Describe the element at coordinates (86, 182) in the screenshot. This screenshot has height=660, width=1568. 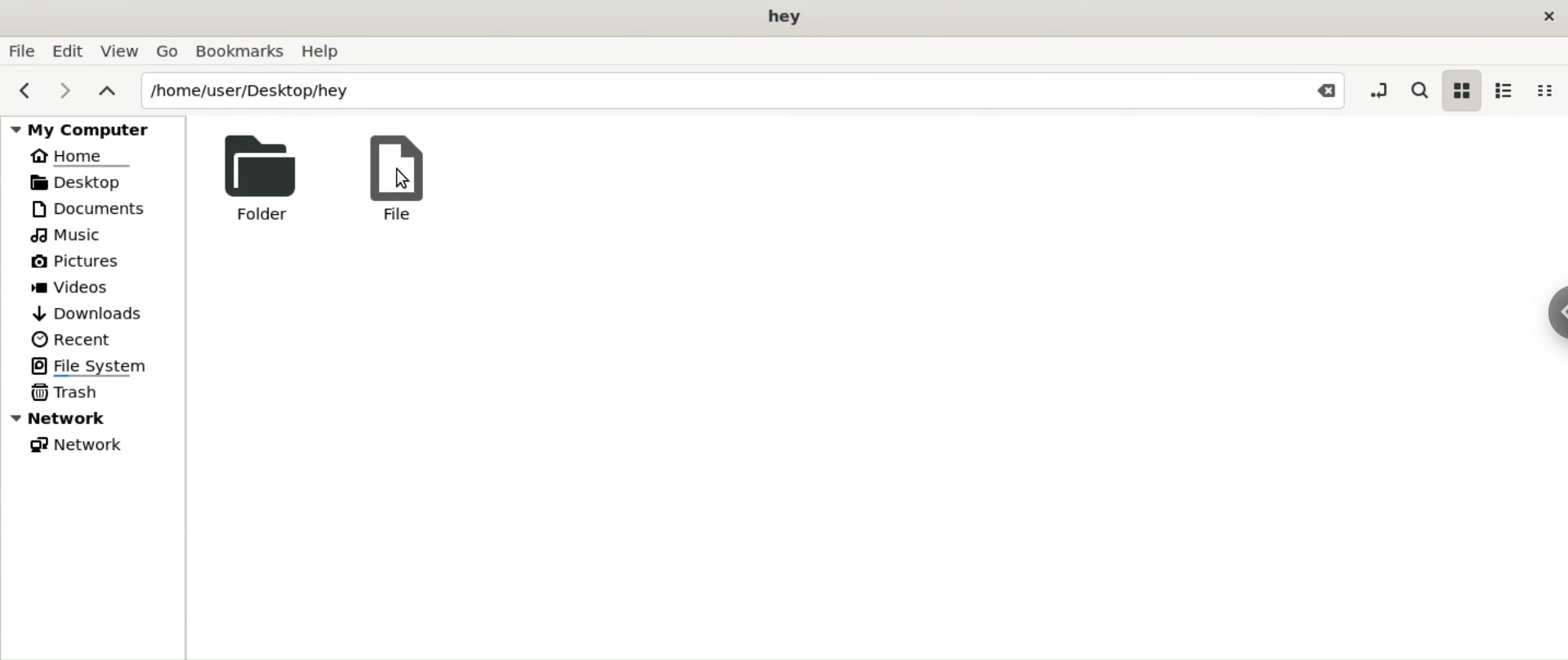
I see `Desktop` at that location.